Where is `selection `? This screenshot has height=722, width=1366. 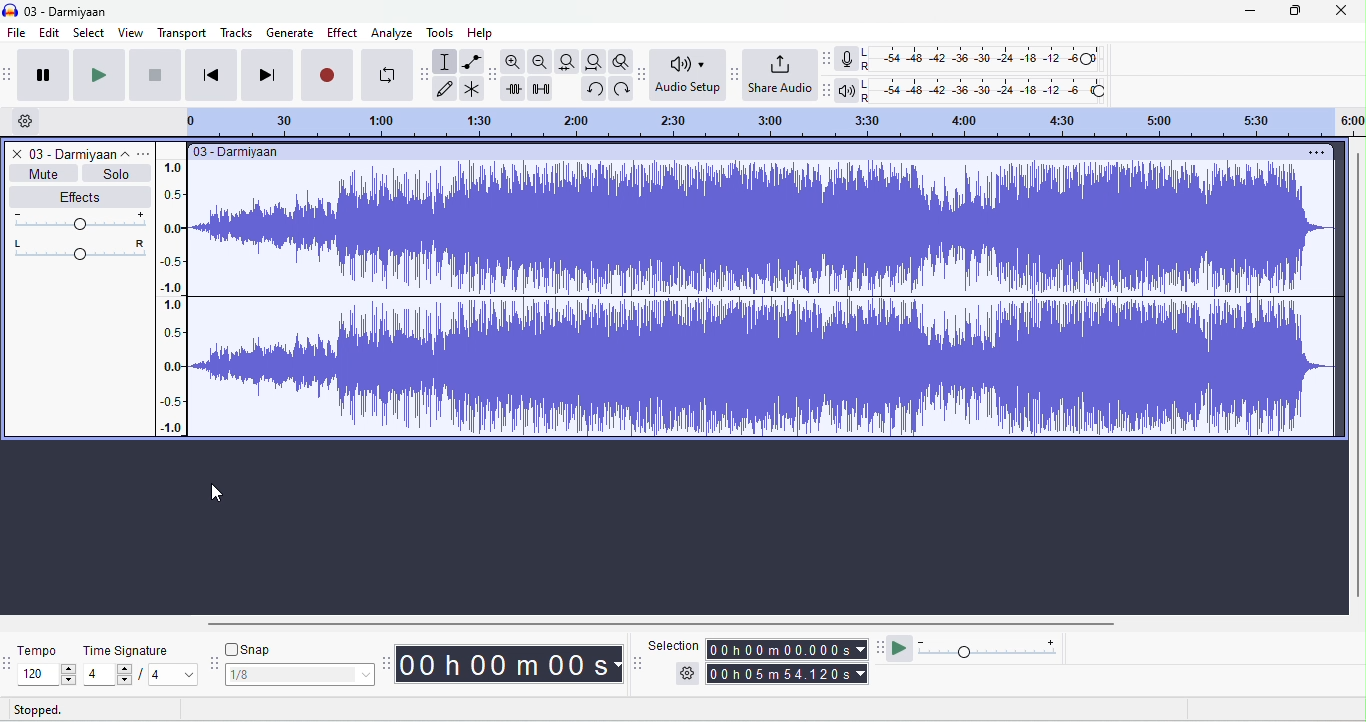 selection  is located at coordinates (671, 643).